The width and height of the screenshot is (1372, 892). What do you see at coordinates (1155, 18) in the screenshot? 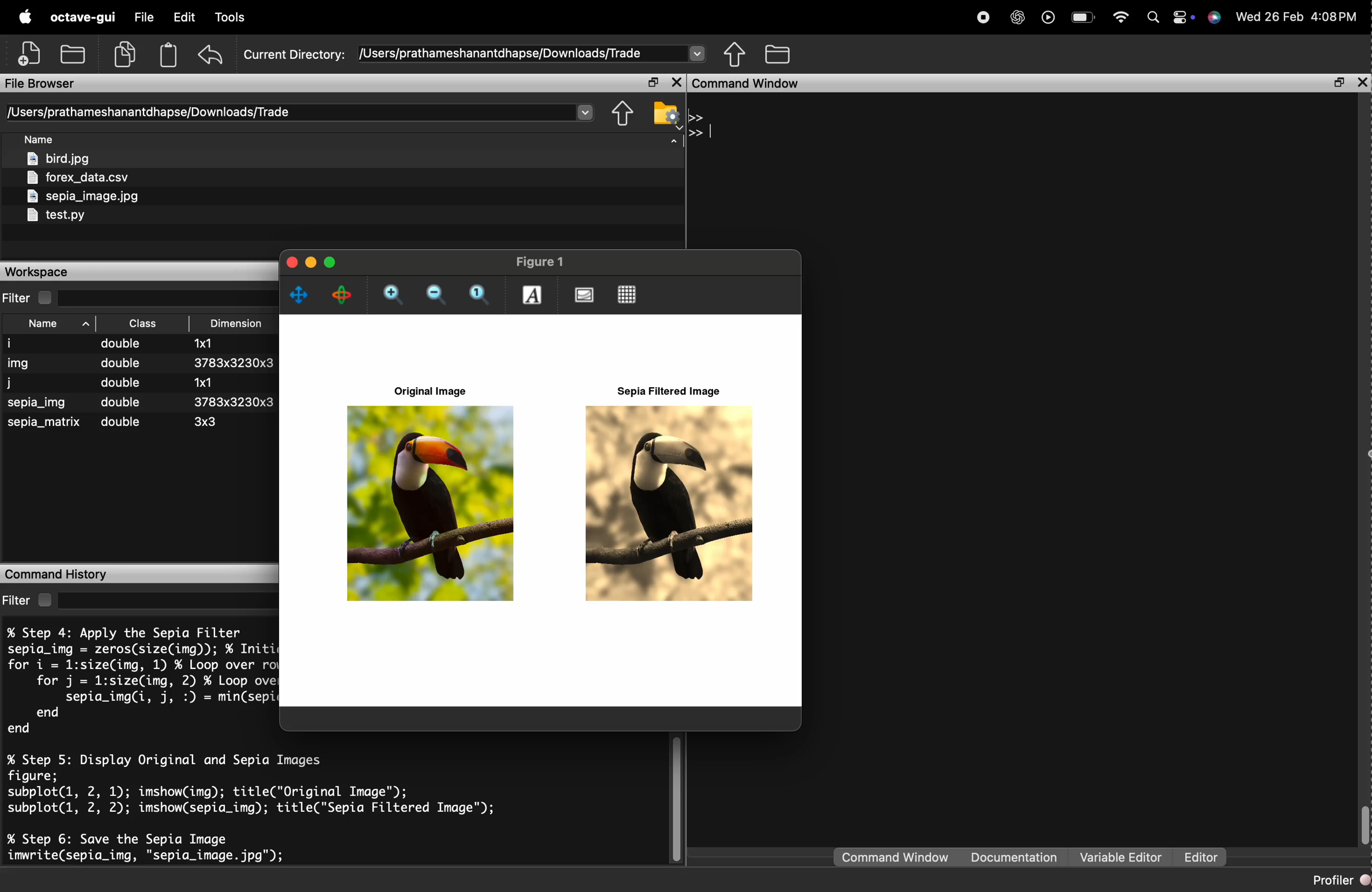
I see `search` at bounding box center [1155, 18].